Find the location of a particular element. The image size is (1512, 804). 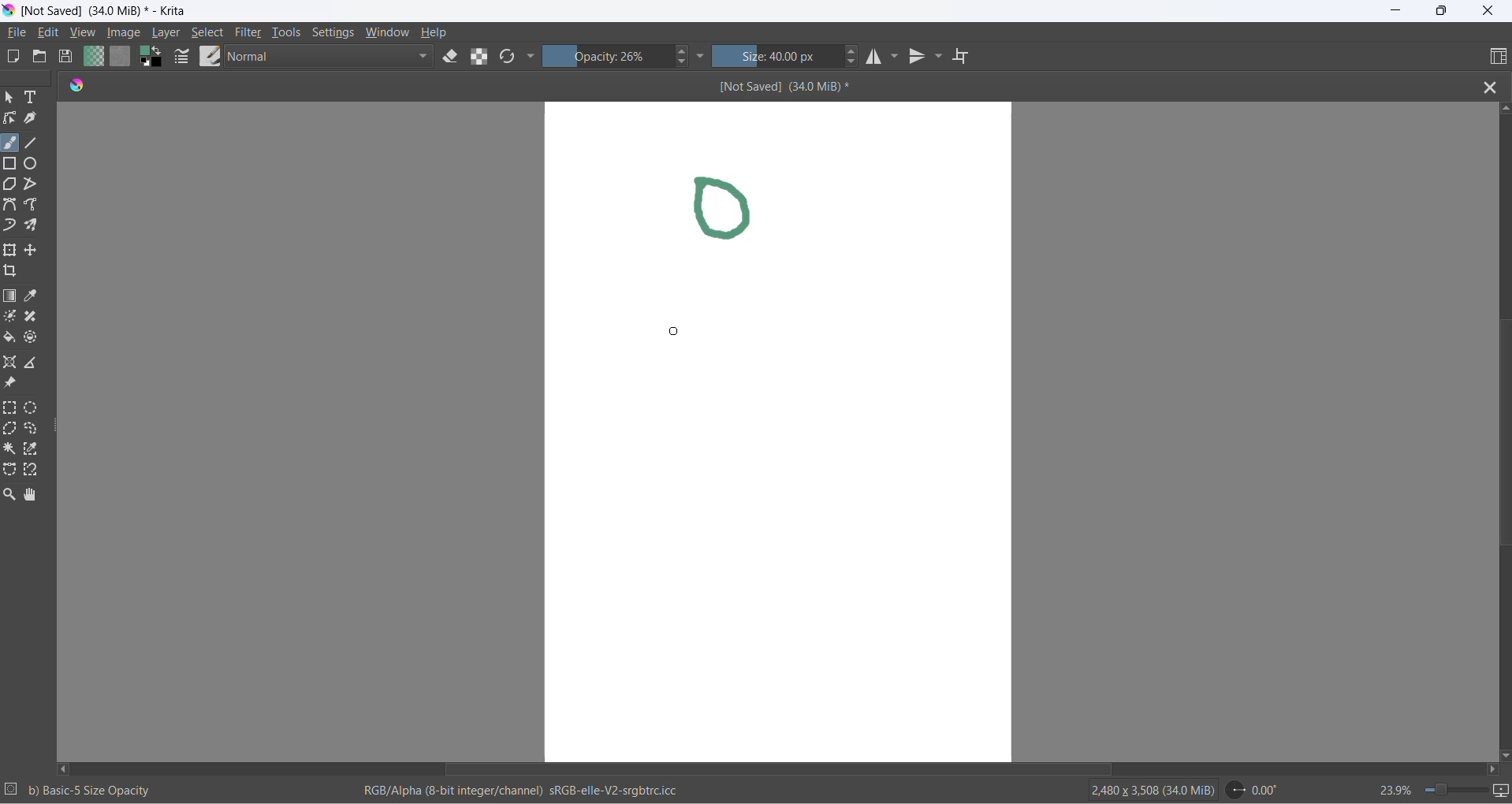

more settings dropdown button is located at coordinates (533, 59).